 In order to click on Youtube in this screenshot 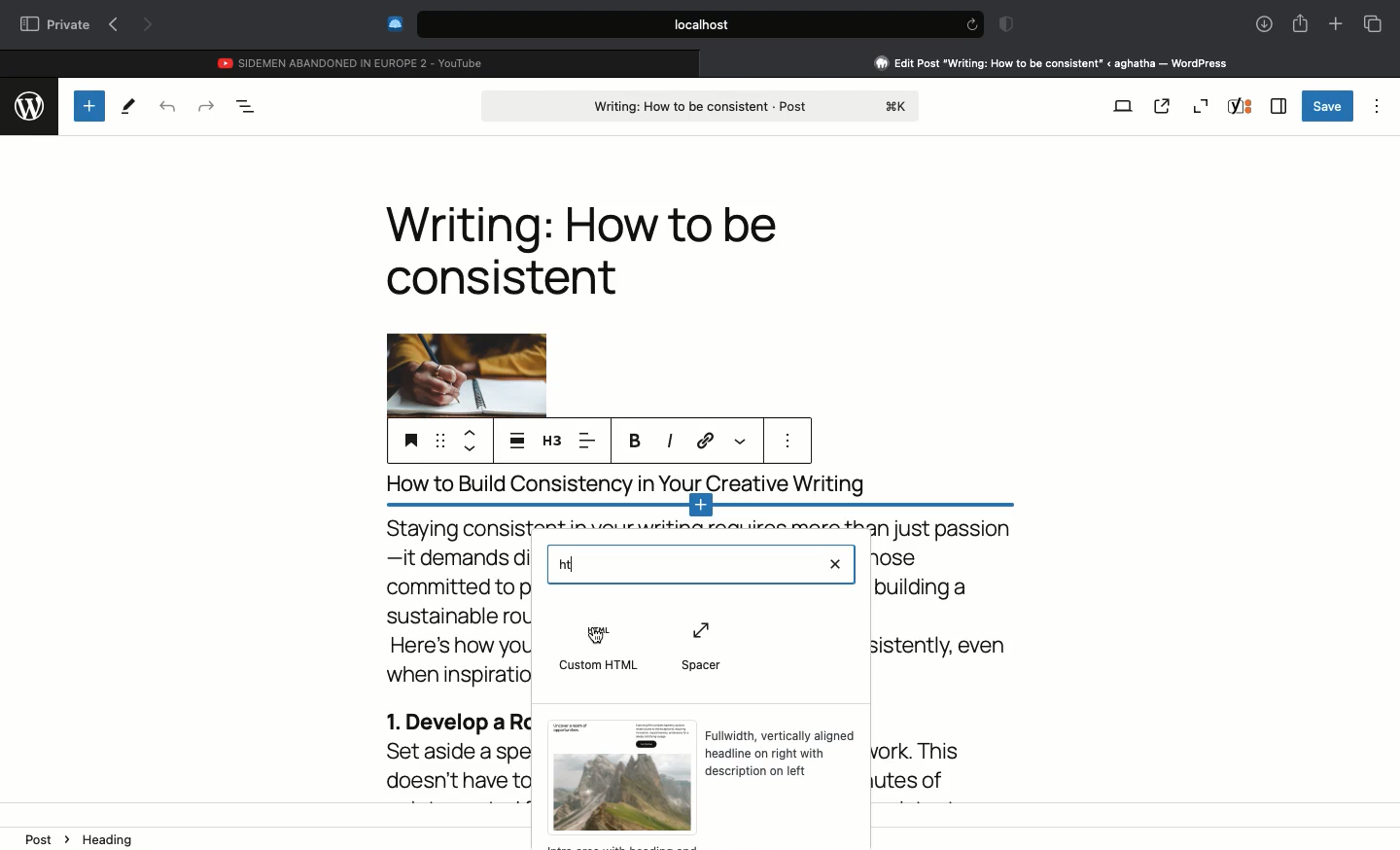, I will do `click(353, 60)`.